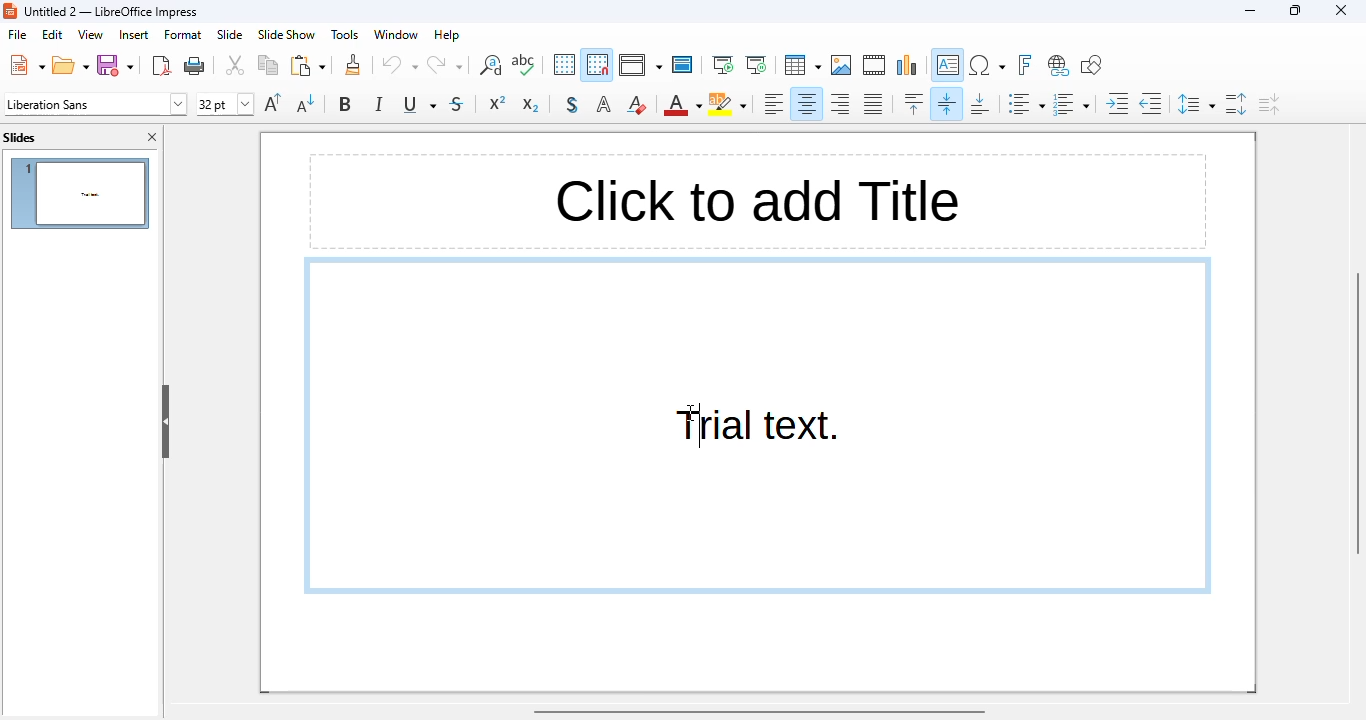  I want to click on format, so click(183, 34).